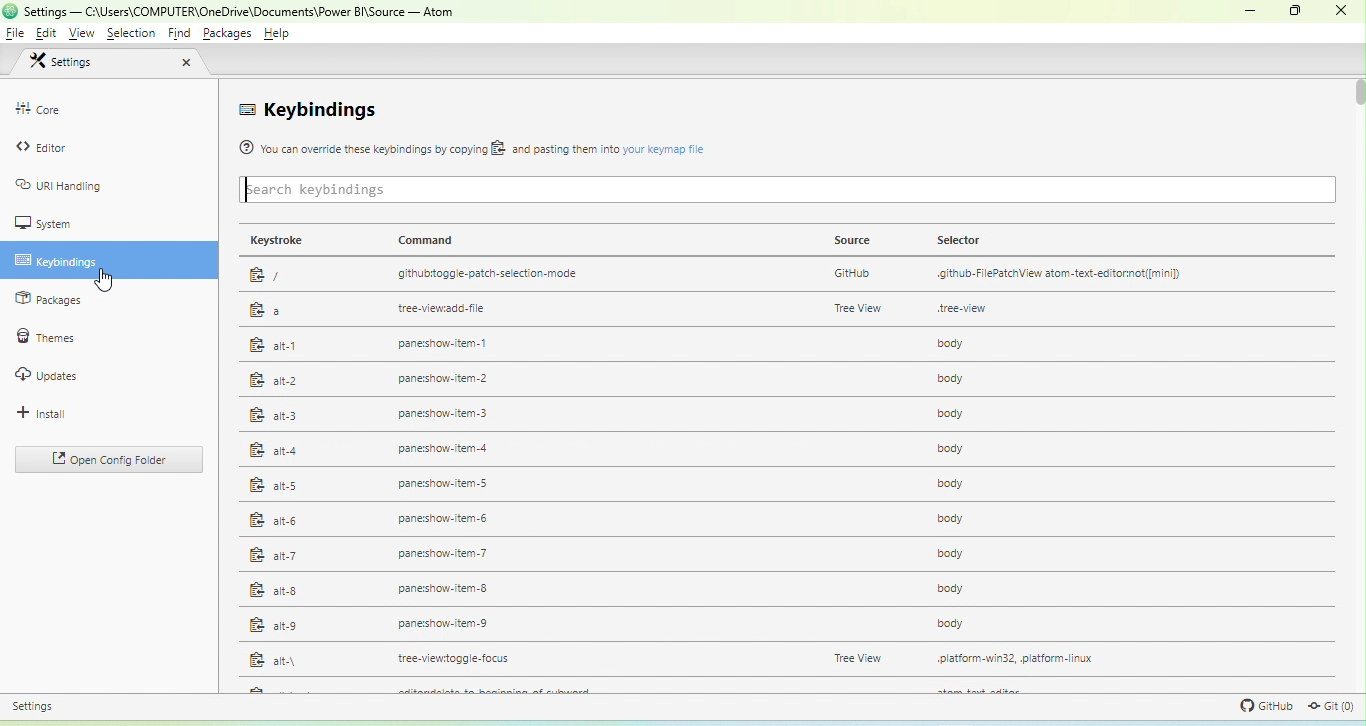 This screenshot has width=1366, height=726. Describe the element at coordinates (60, 184) in the screenshot. I see `uri handling` at that location.